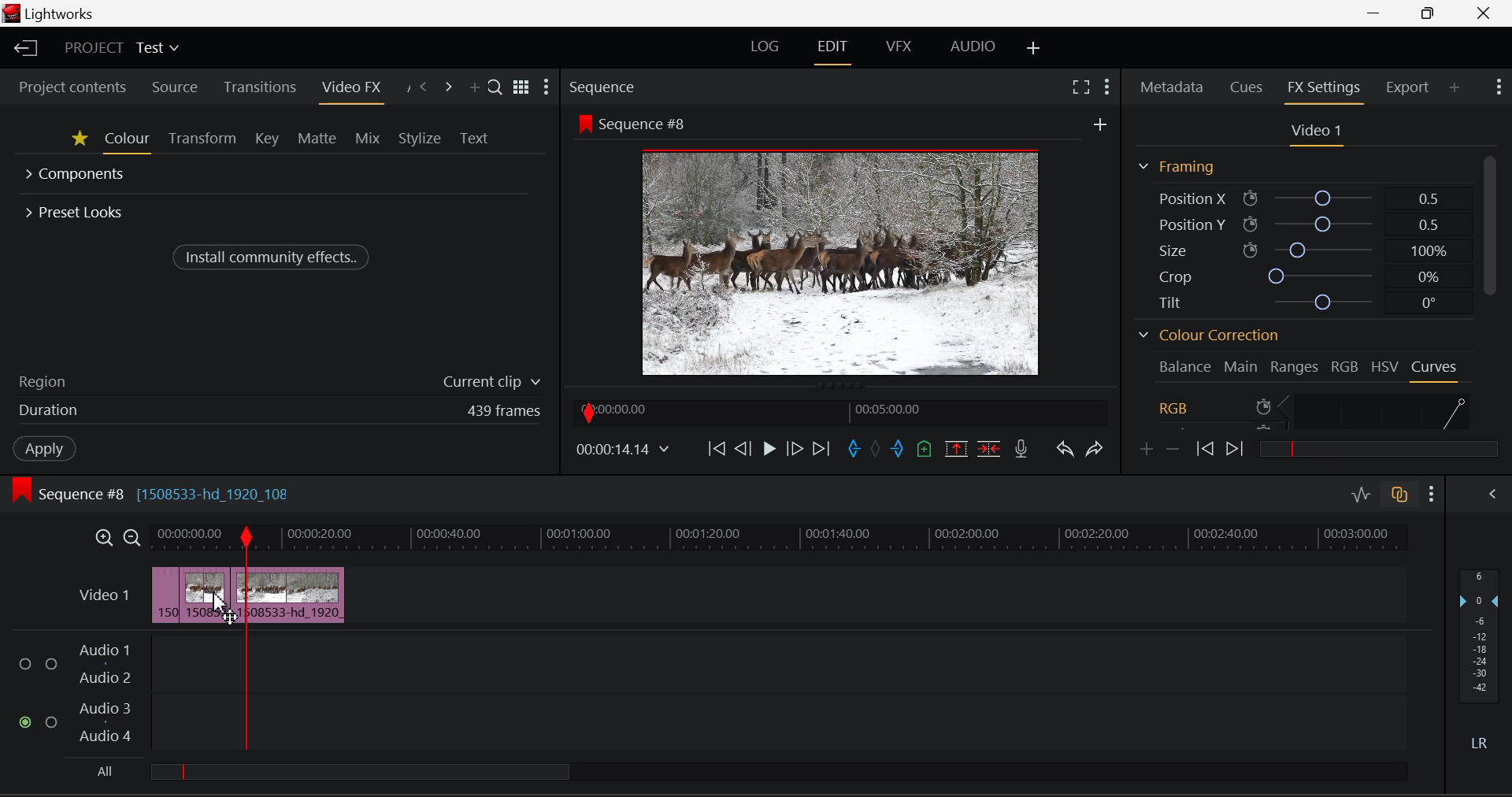 The image size is (1512, 797). I want to click on Show Settings, so click(548, 87).